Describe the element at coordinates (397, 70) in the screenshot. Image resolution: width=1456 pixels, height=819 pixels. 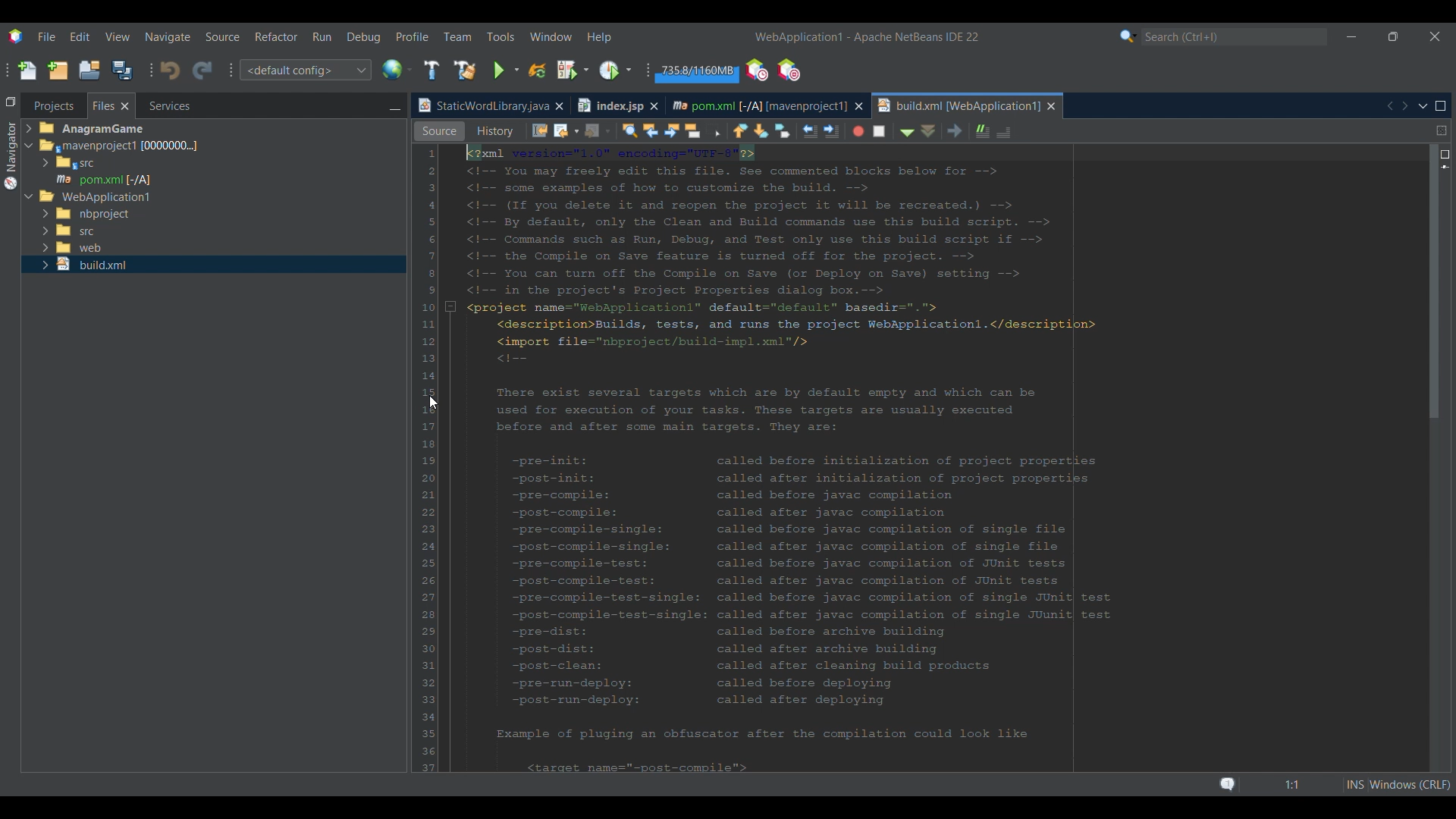
I see `IDE's default browser` at that location.